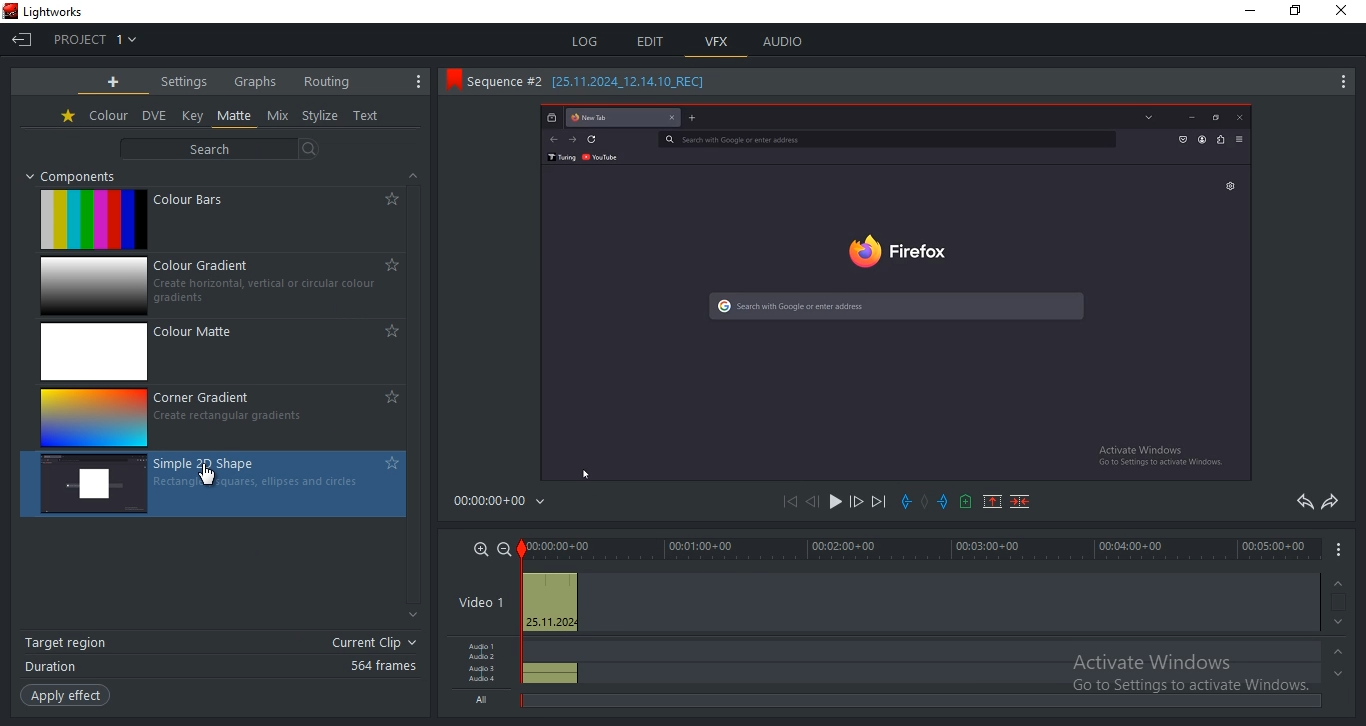  I want to click on forward, so click(856, 504).